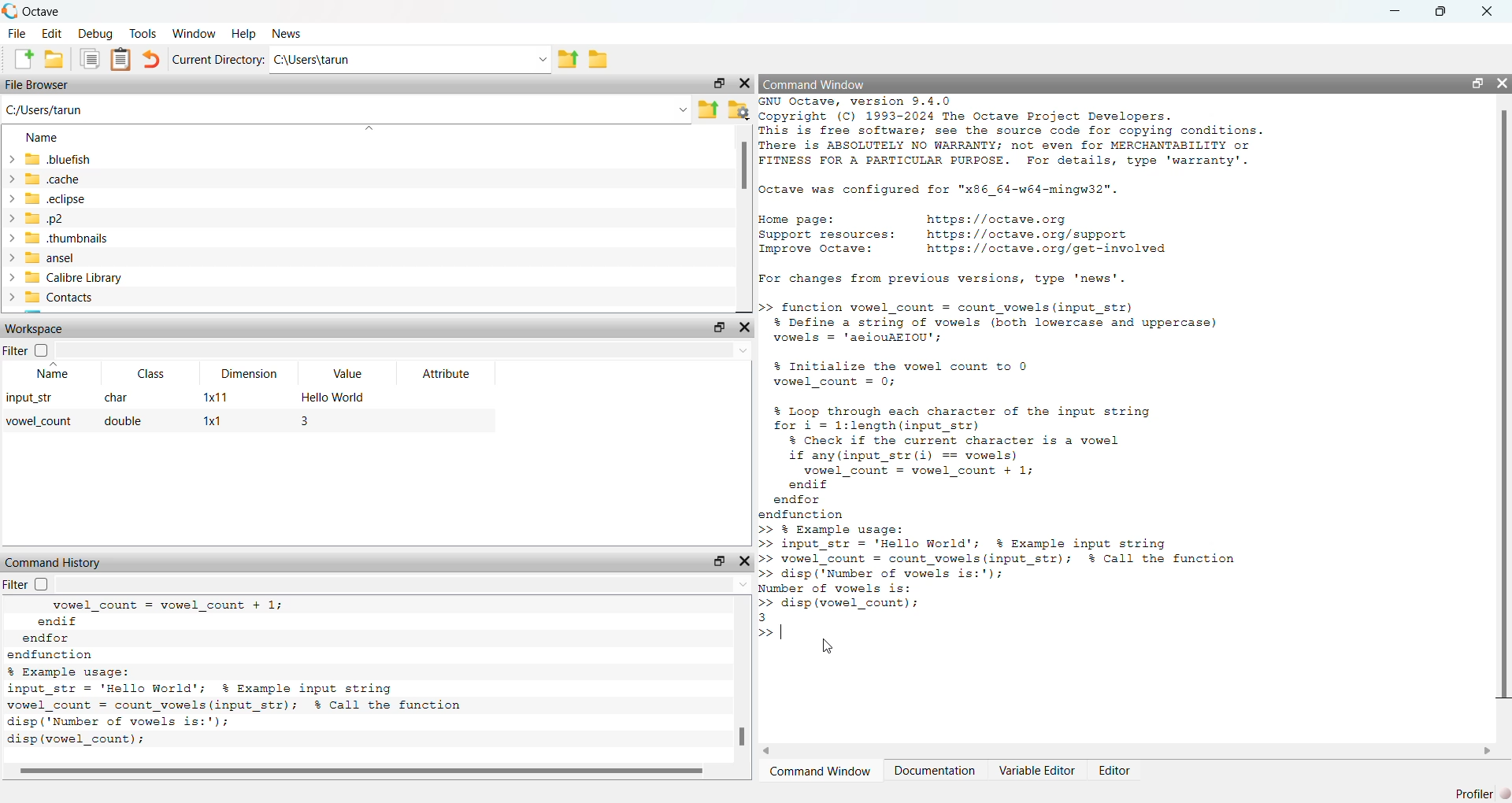  I want to click on Editor, so click(1114, 771).